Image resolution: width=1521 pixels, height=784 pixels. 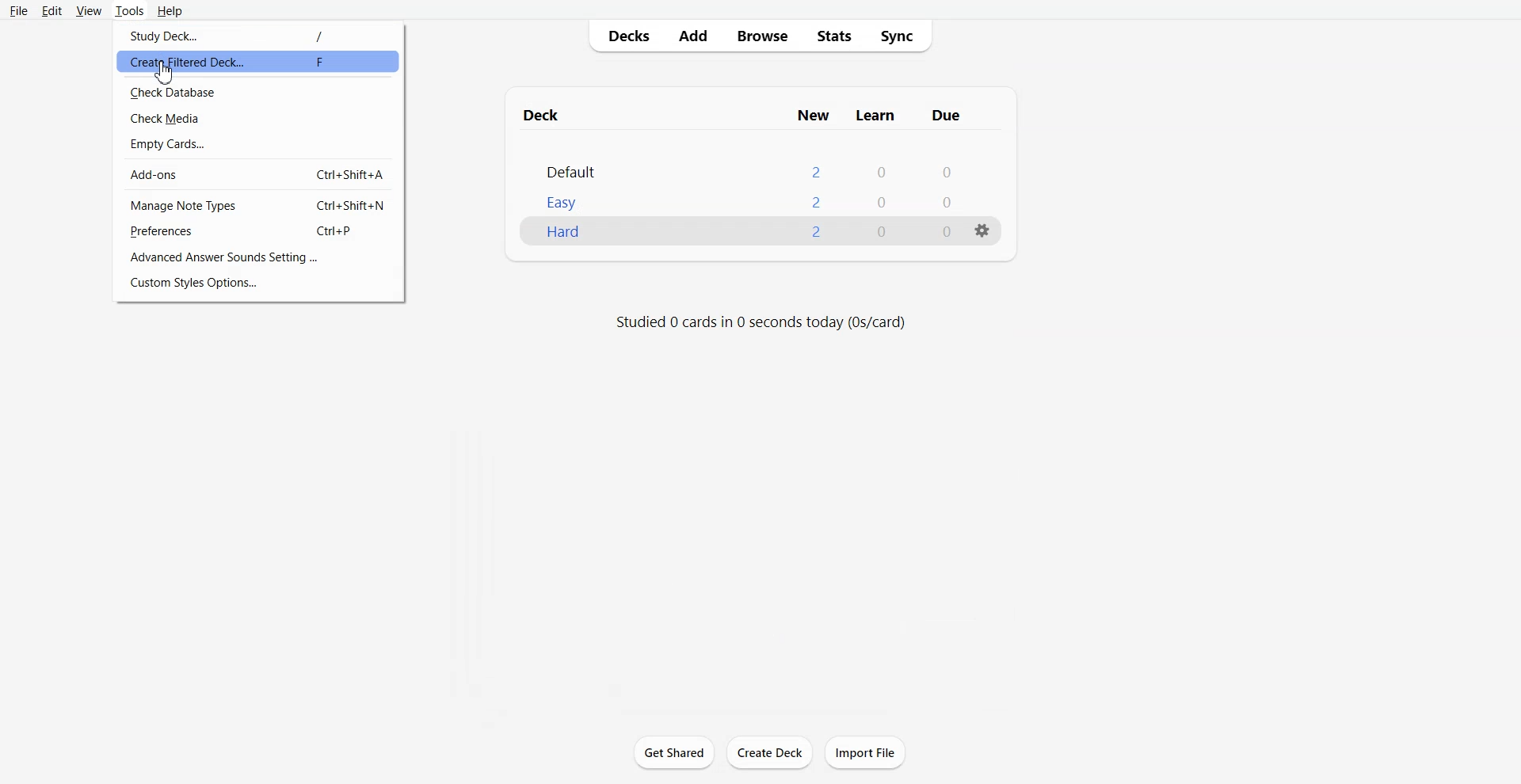 What do you see at coordinates (53, 11) in the screenshot?
I see `Edit` at bounding box center [53, 11].